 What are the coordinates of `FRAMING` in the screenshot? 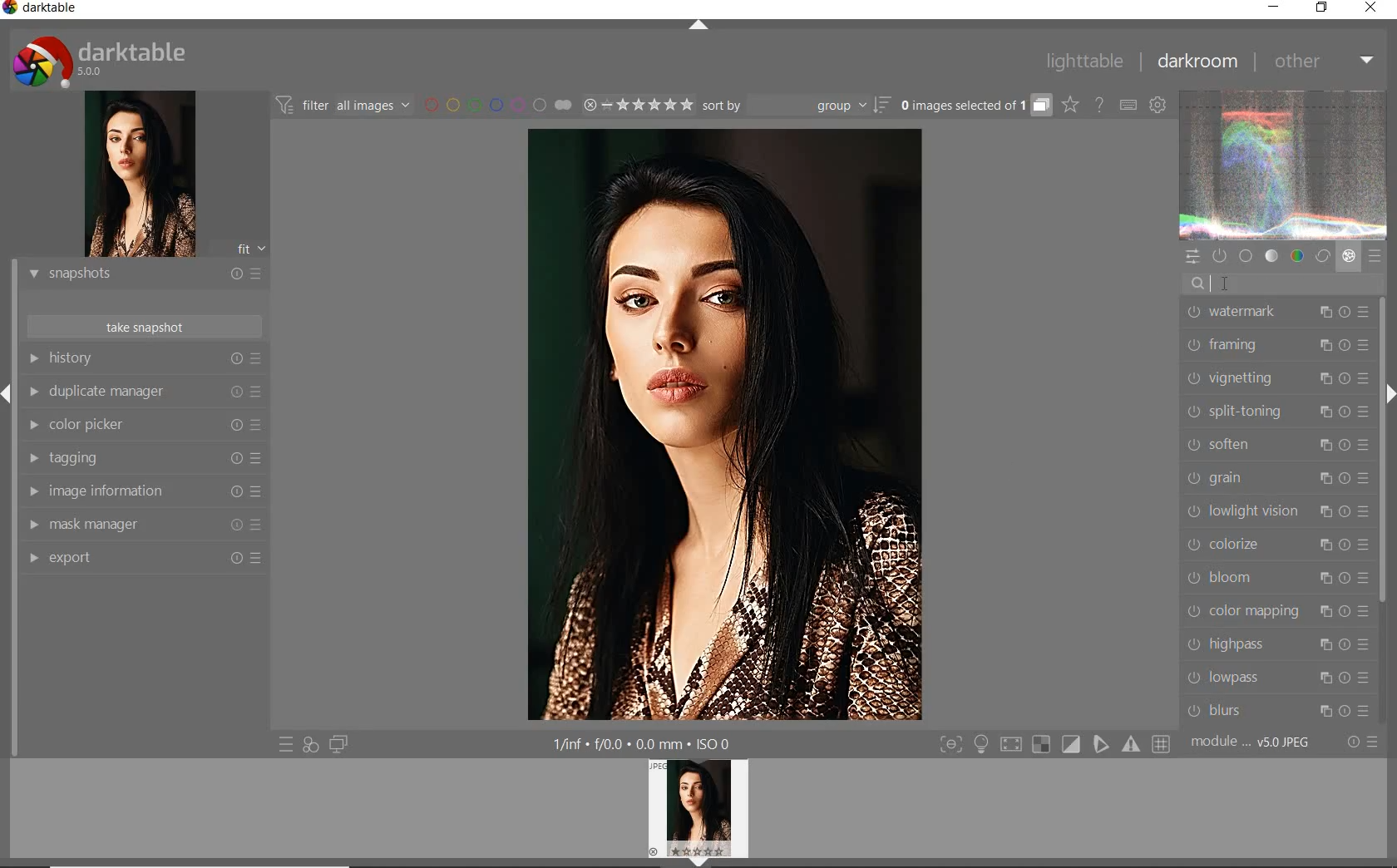 It's located at (1275, 343).